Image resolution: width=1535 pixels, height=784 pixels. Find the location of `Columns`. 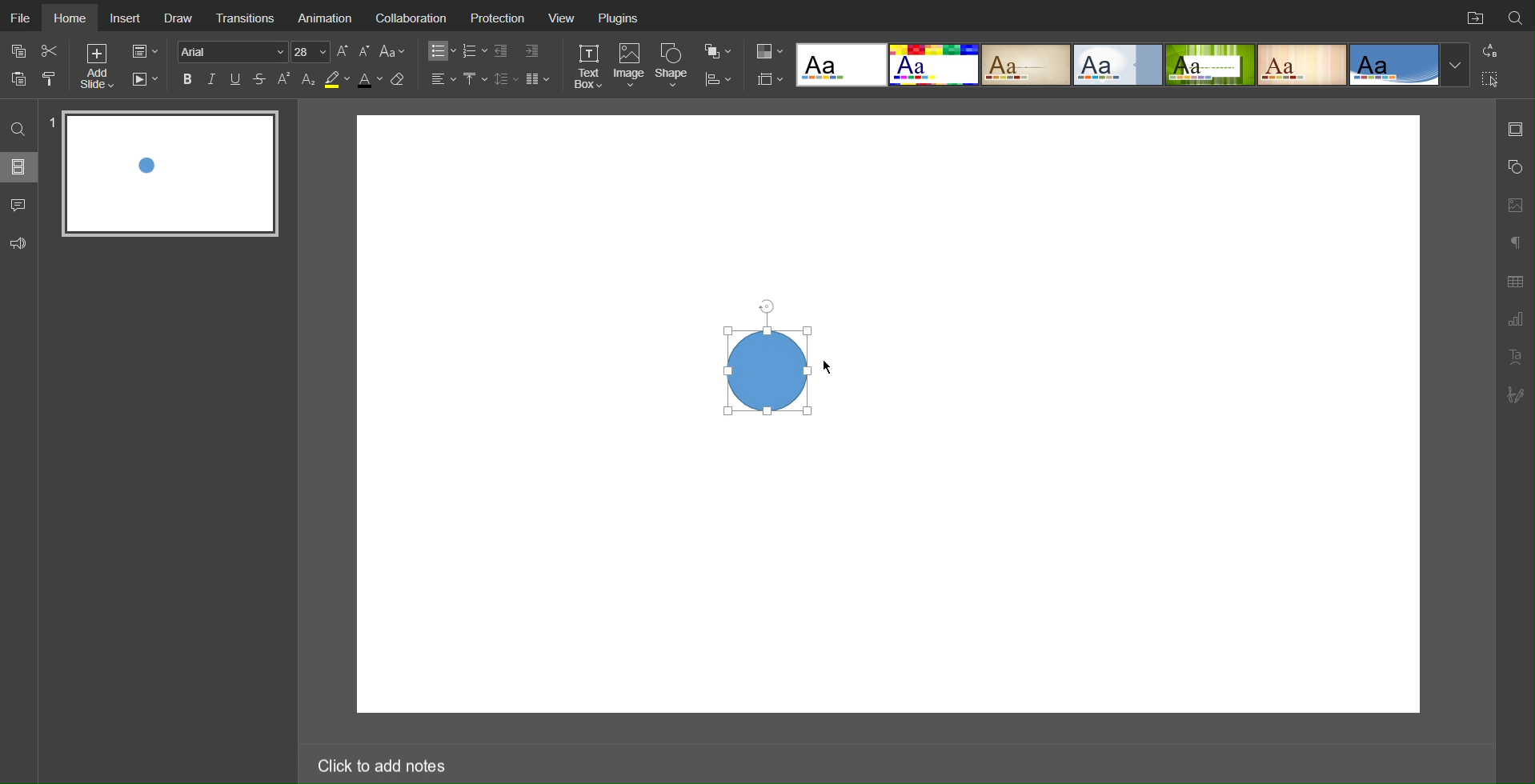

Columns is located at coordinates (539, 78).